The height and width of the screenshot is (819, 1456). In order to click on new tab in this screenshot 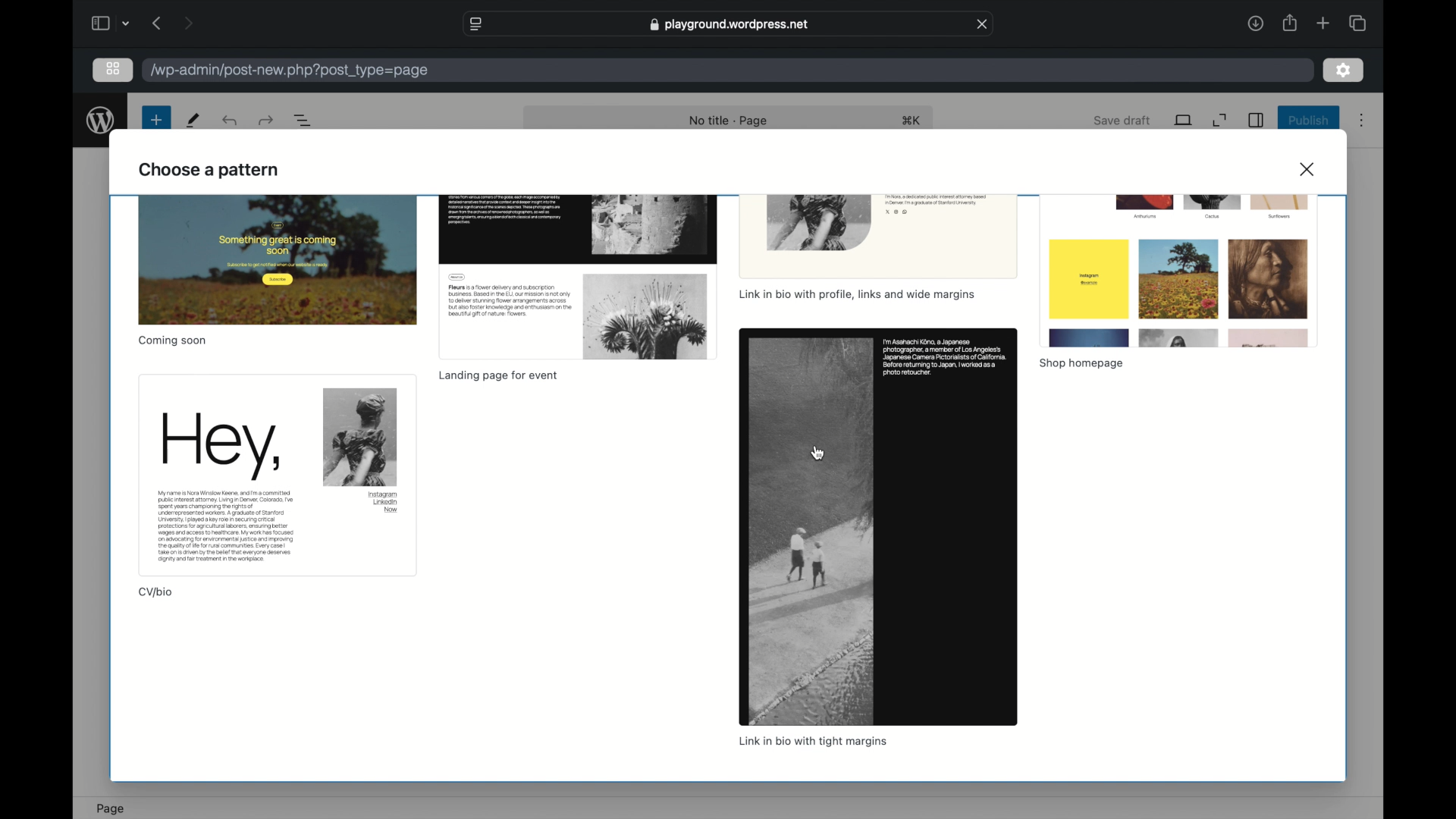, I will do `click(1323, 23)`.